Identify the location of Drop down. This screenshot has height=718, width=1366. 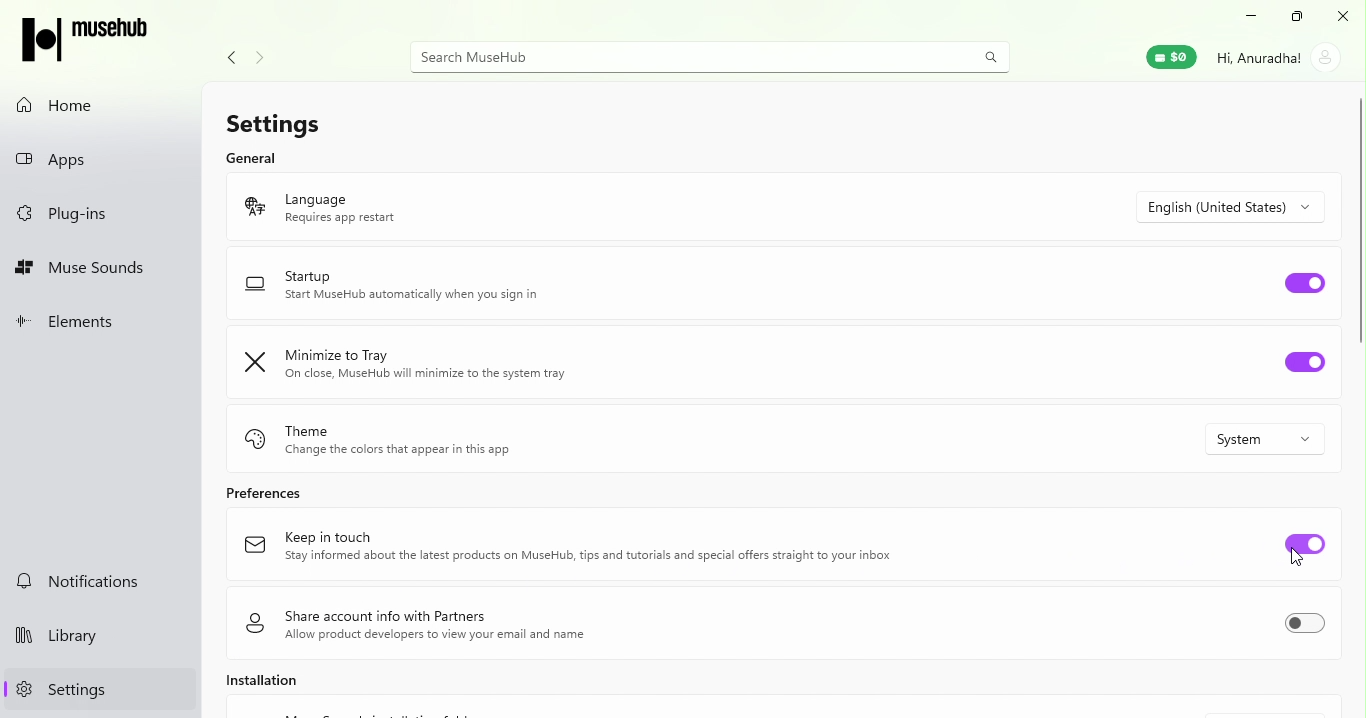
(1269, 441).